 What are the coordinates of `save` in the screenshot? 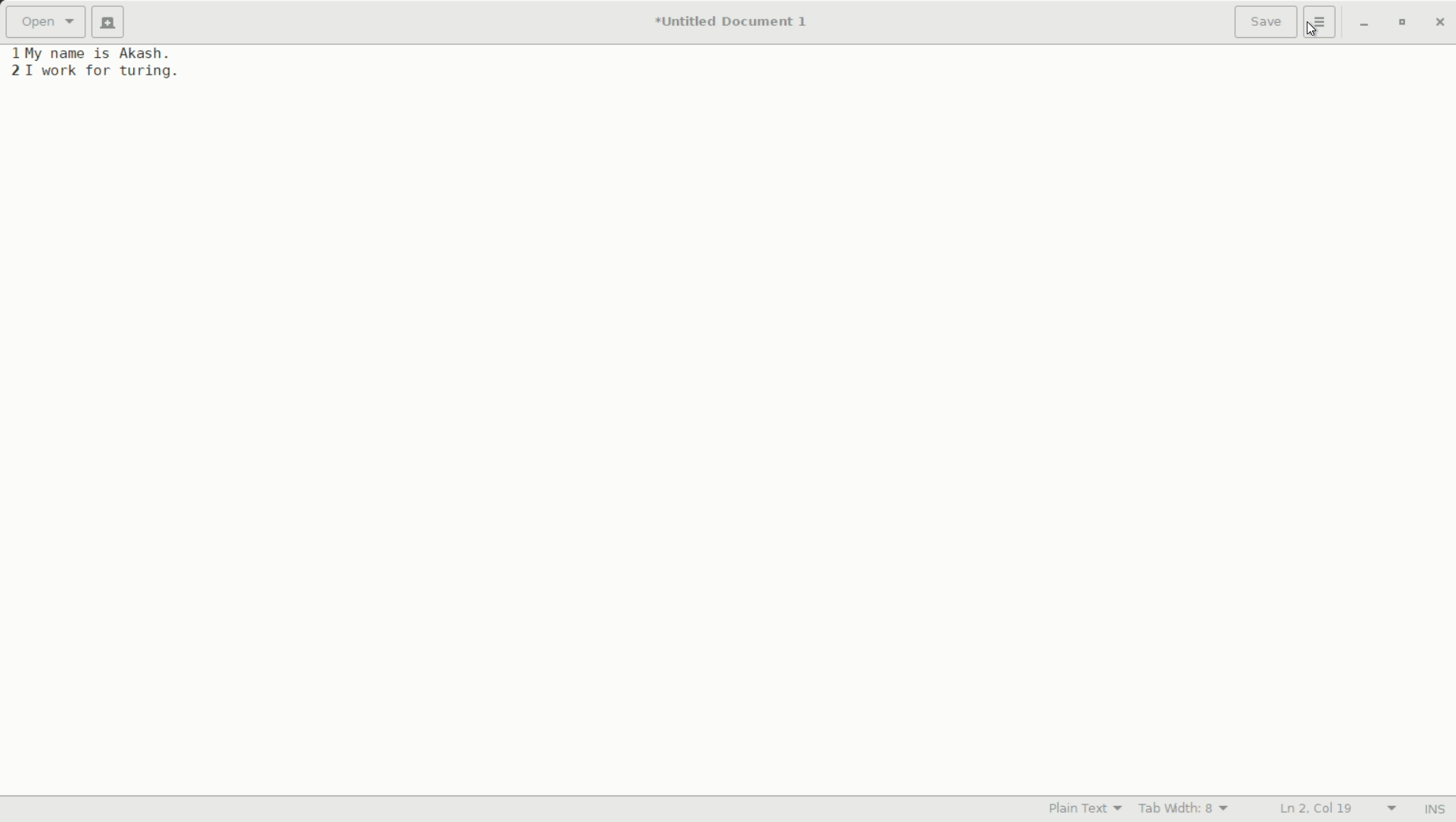 It's located at (1267, 22).